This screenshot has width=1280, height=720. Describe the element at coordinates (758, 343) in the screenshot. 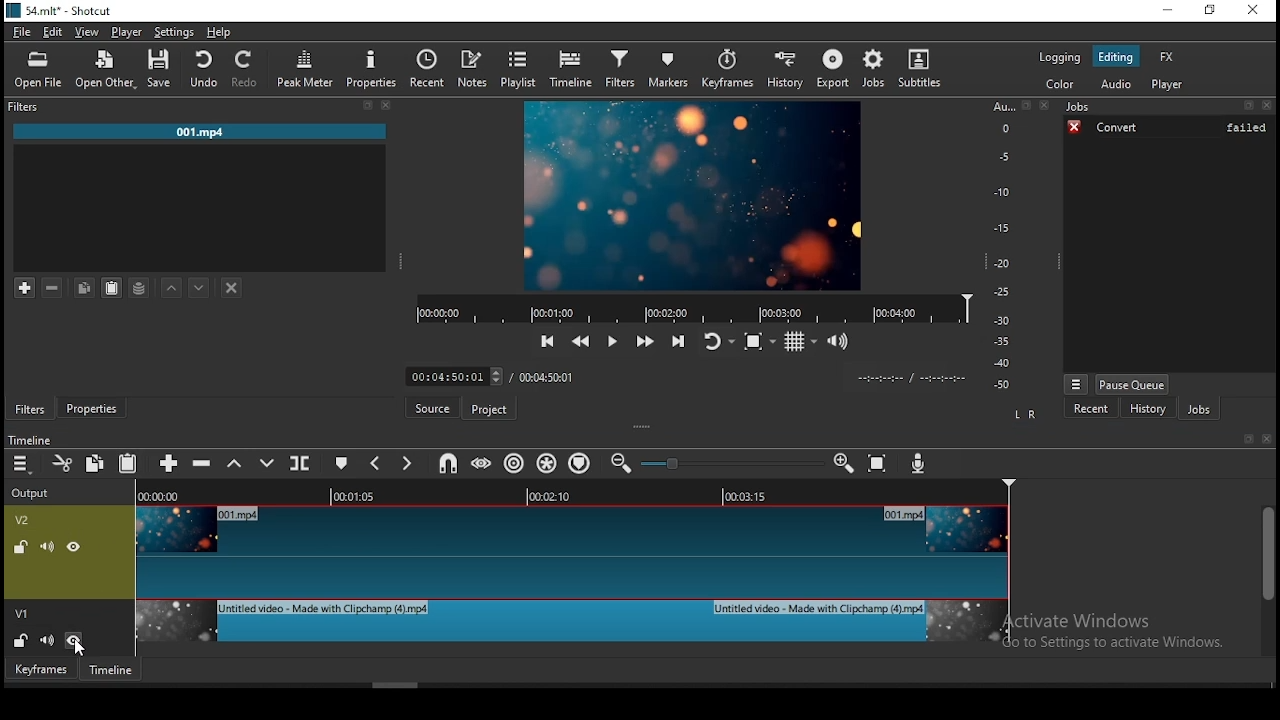

I see `toggle zoo` at that location.